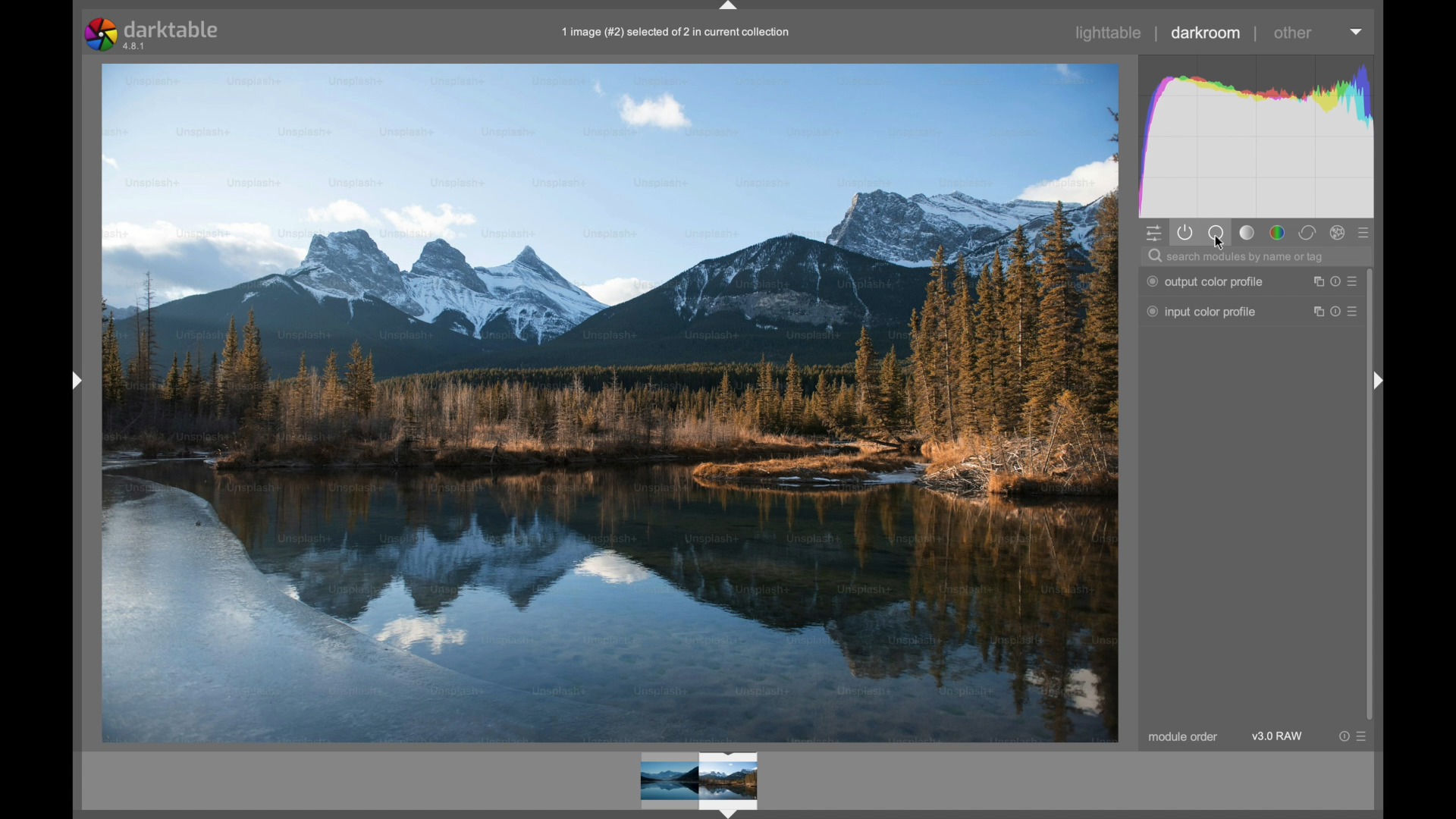 The height and width of the screenshot is (819, 1456). What do you see at coordinates (1205, 281) in the screenshot?
I see `output color profile` at bounding box center [1205, 281].